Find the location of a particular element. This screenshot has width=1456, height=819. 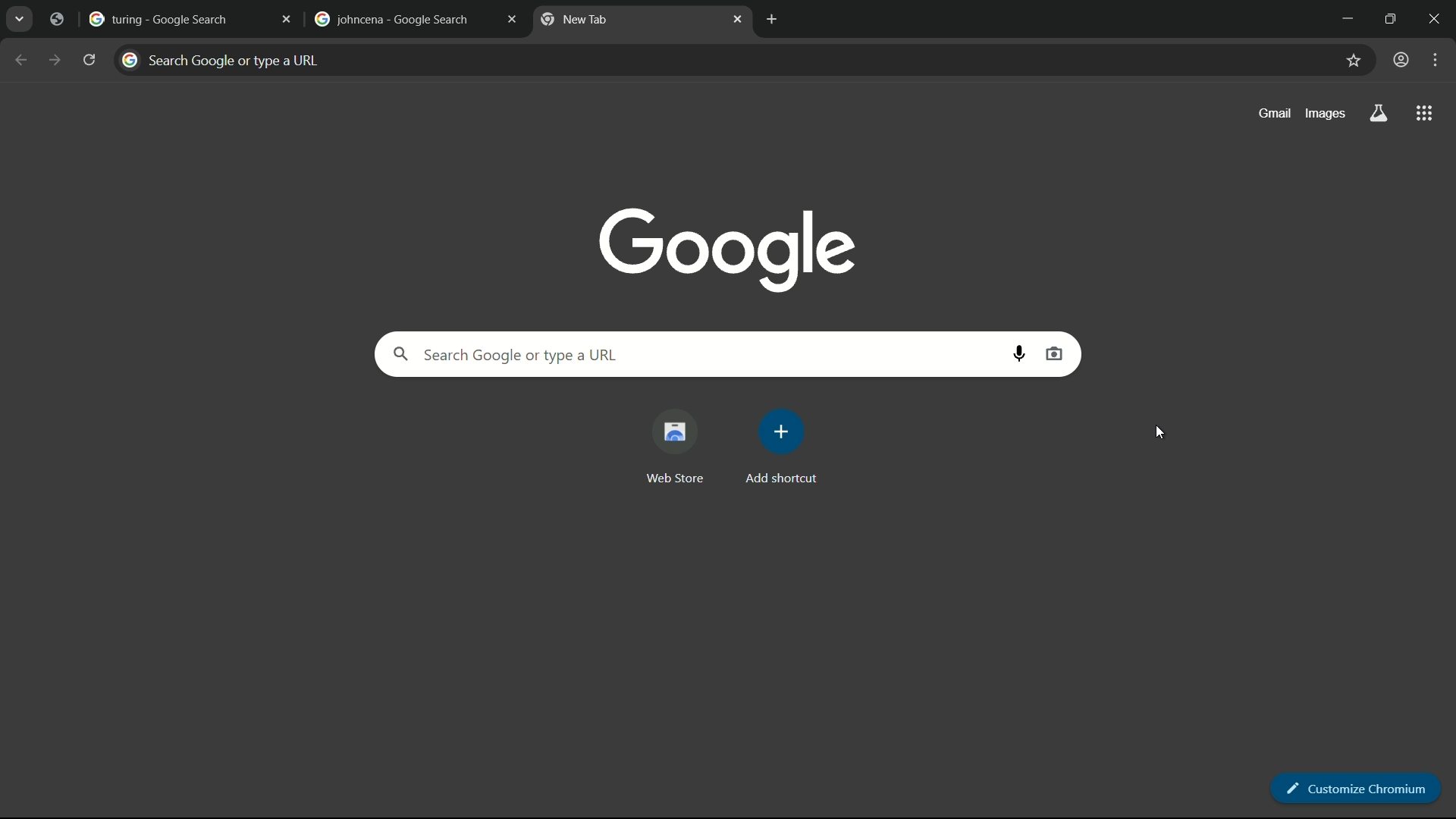

tab restored is located at coordinates (56, 20).